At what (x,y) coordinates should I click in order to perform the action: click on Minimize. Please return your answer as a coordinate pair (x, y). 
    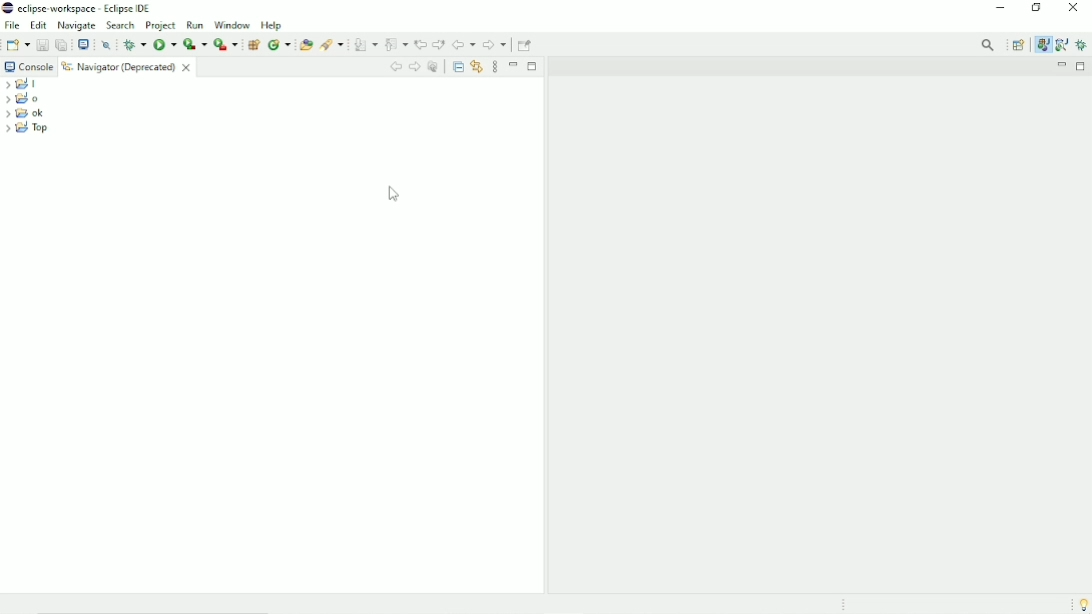
    Looking at the image, I should click on (1001, 9).